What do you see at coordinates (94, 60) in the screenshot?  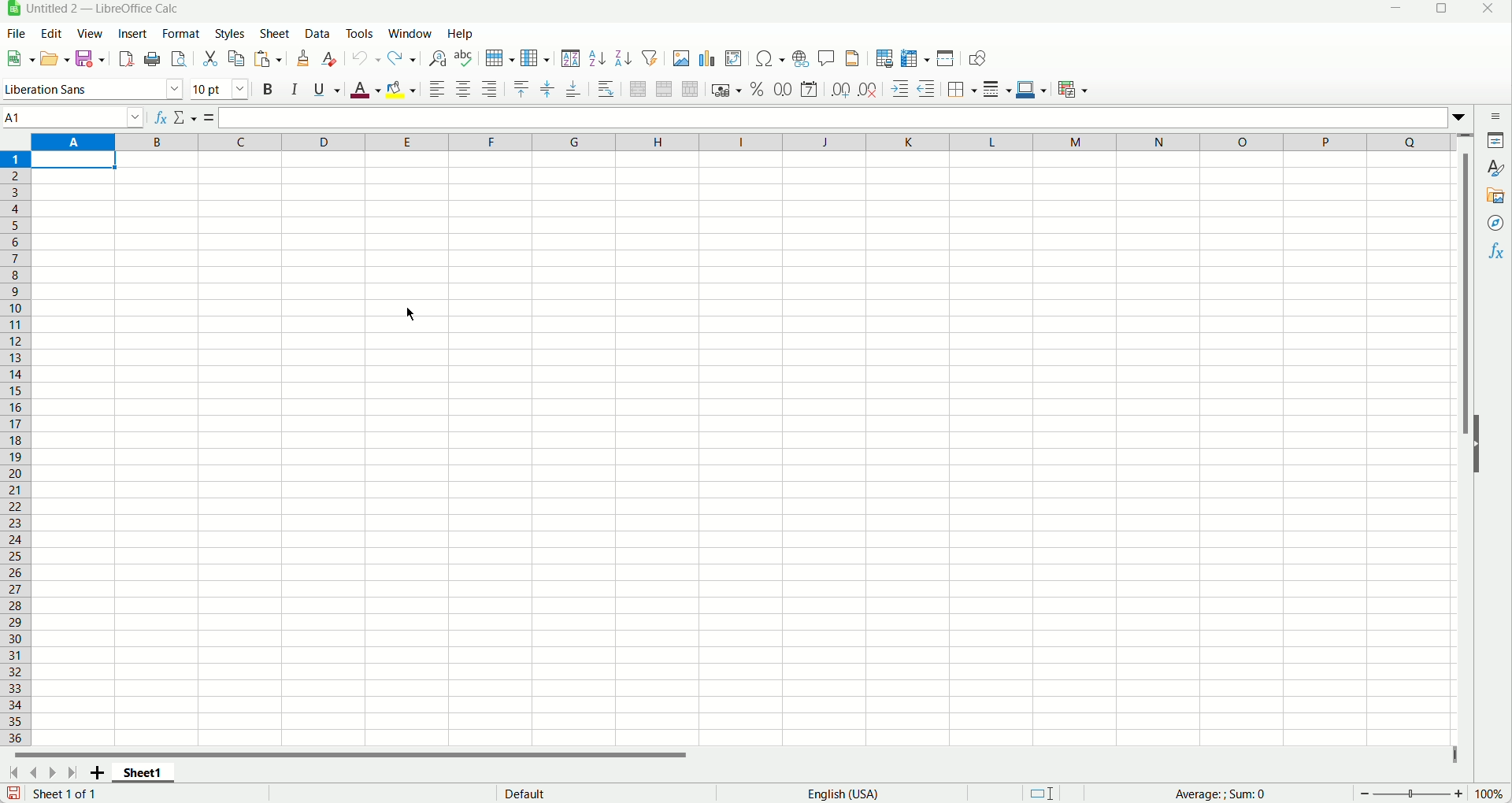 I see `Save` at bounding box center [94, 60].